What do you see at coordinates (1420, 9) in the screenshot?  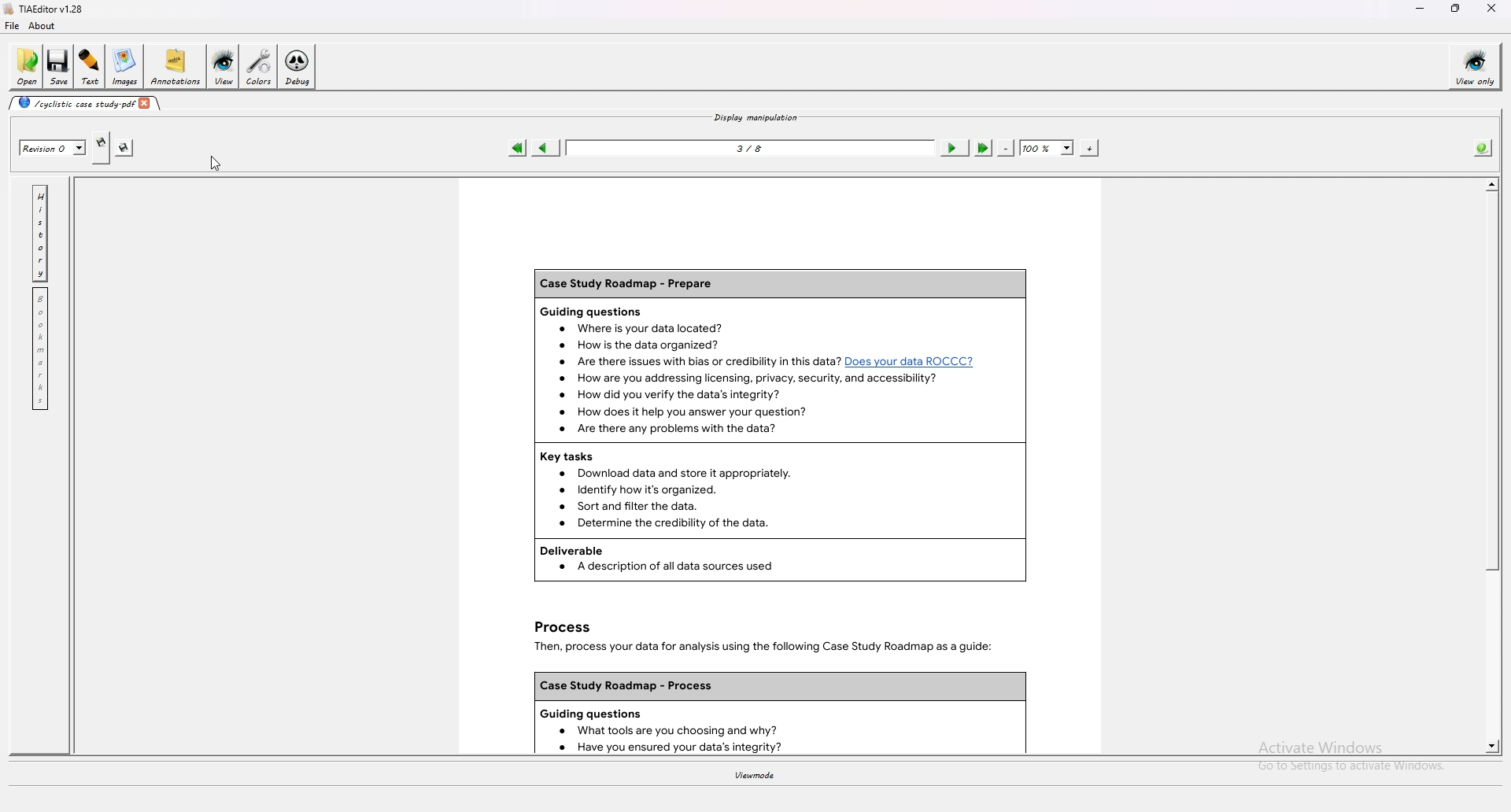 I see `minimize` at bounding box center [1420, 9].